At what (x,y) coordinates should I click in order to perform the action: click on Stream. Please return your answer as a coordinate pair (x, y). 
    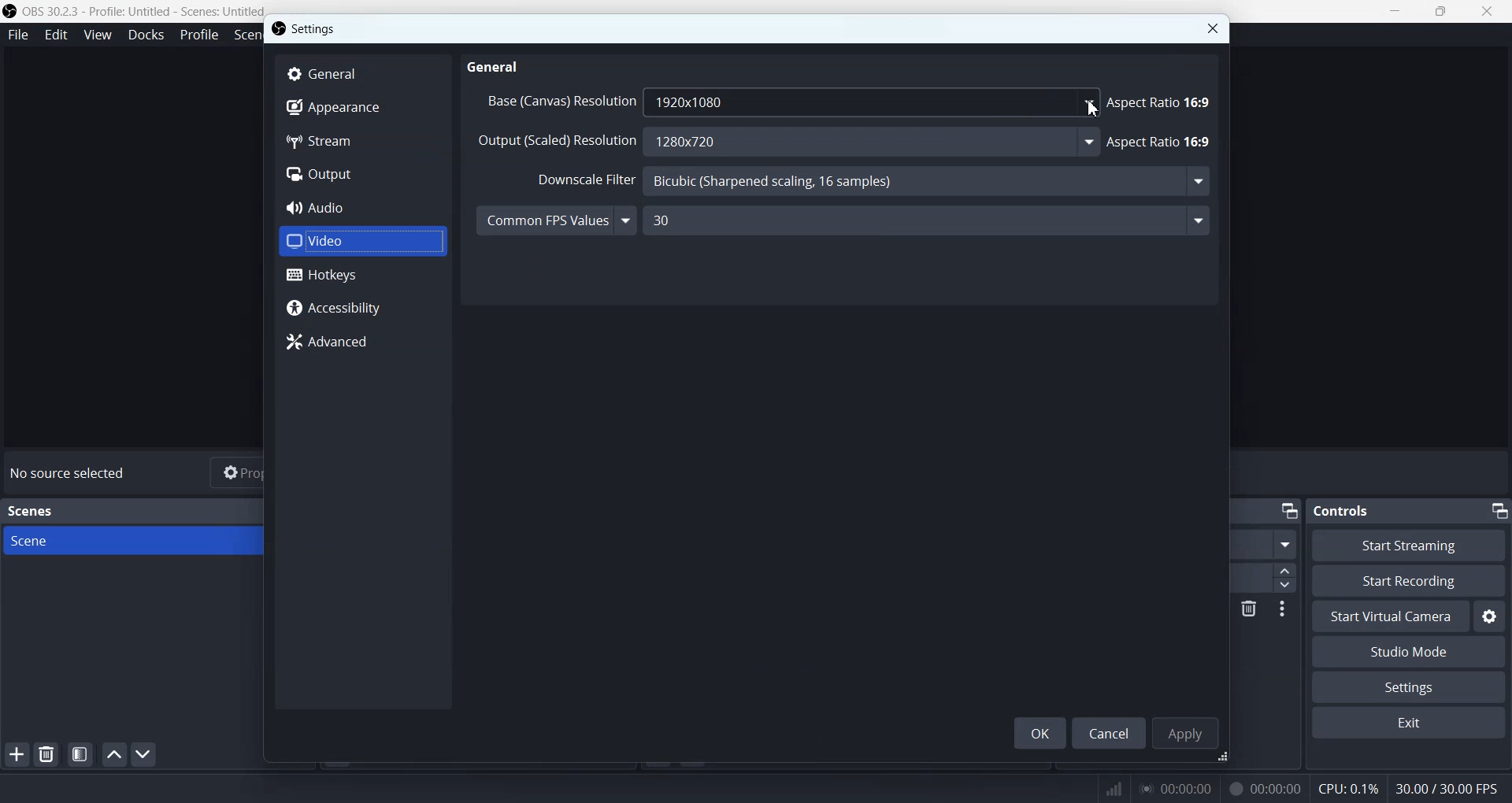
    Looking at the image, I should click on (361, 140).